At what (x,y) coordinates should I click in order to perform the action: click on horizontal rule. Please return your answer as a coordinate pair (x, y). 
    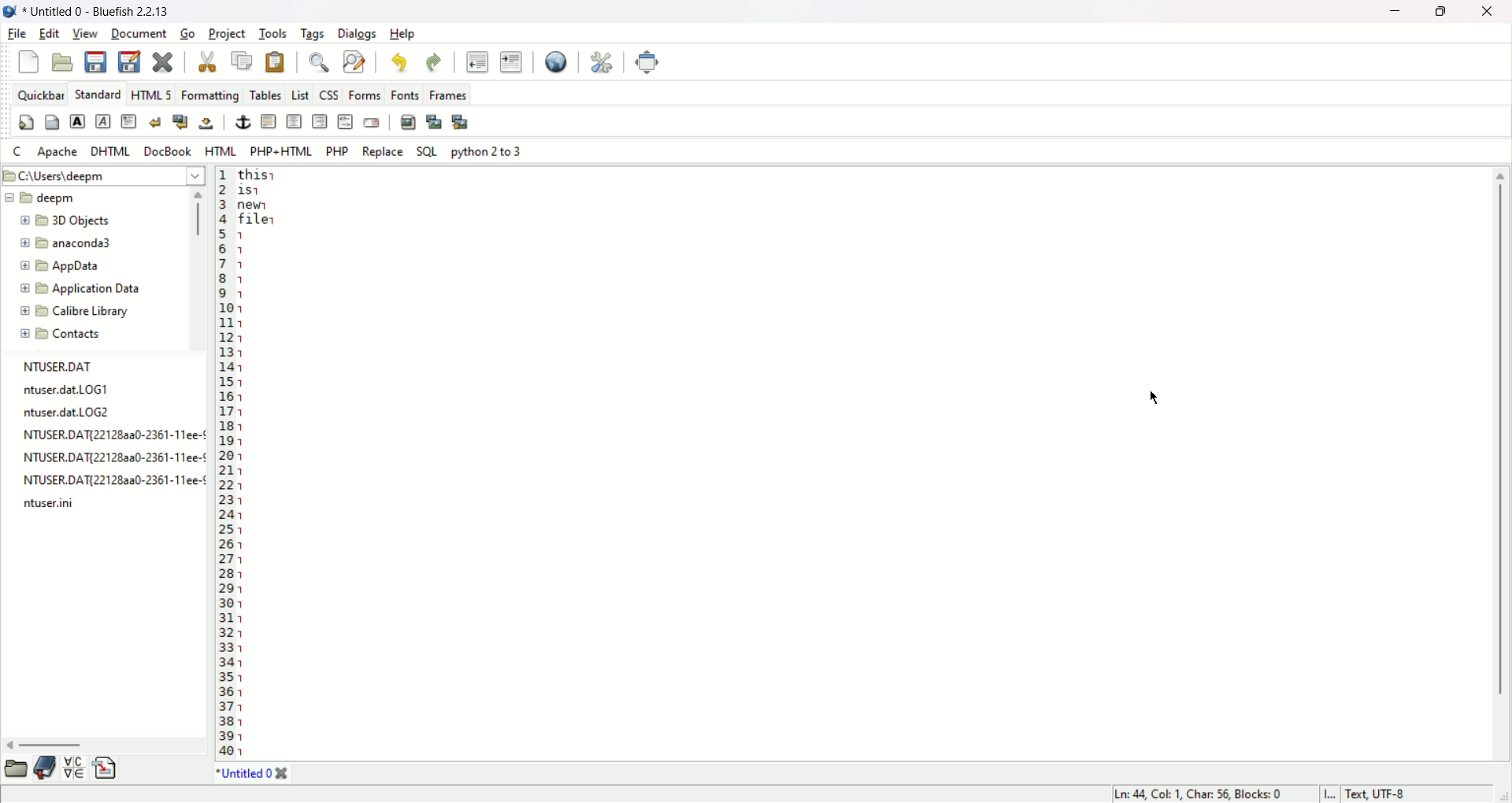
    Looking at the image, I should click on (269, 122).